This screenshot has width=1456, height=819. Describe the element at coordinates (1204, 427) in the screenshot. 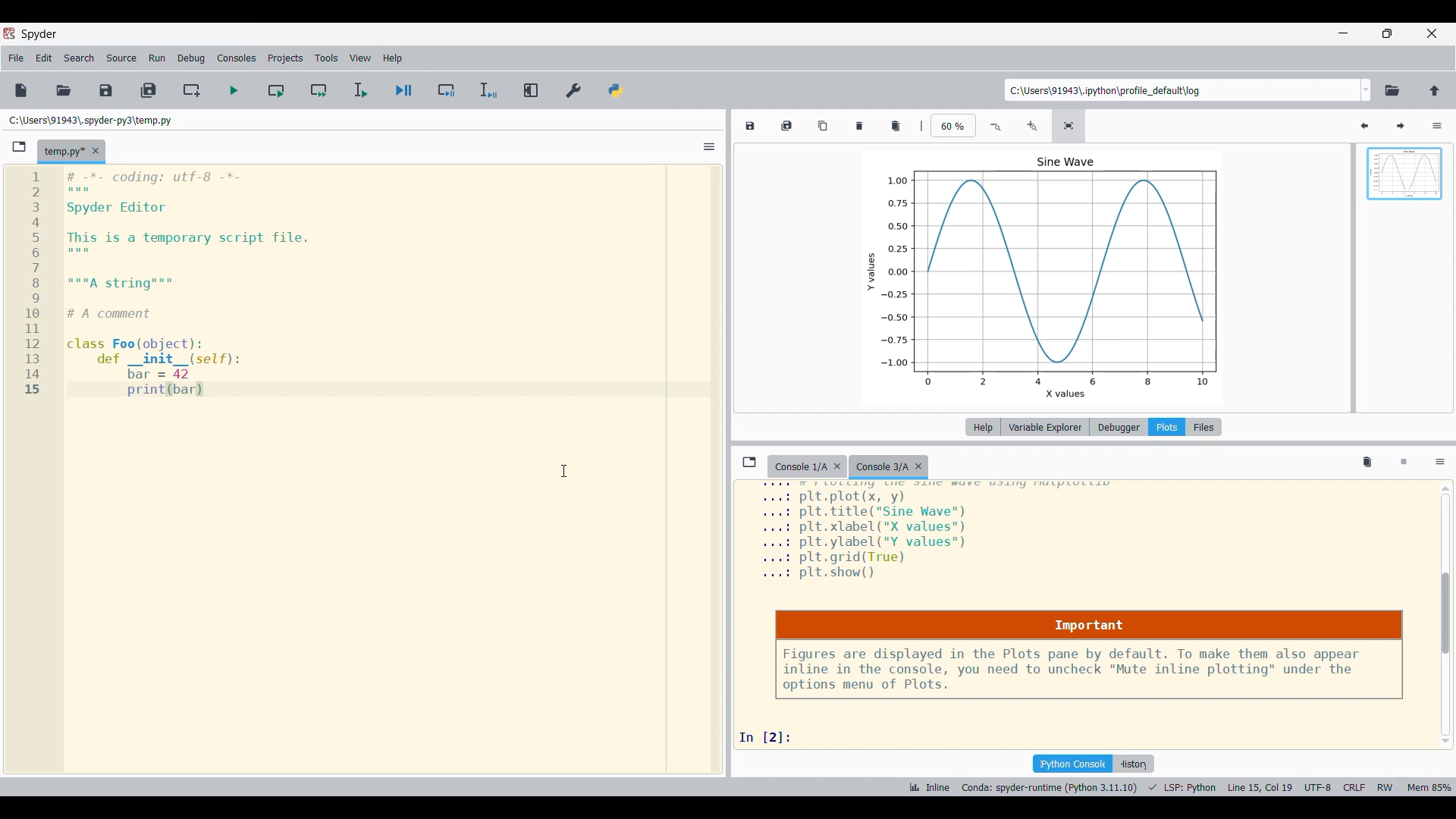

I see `Files` at that location.